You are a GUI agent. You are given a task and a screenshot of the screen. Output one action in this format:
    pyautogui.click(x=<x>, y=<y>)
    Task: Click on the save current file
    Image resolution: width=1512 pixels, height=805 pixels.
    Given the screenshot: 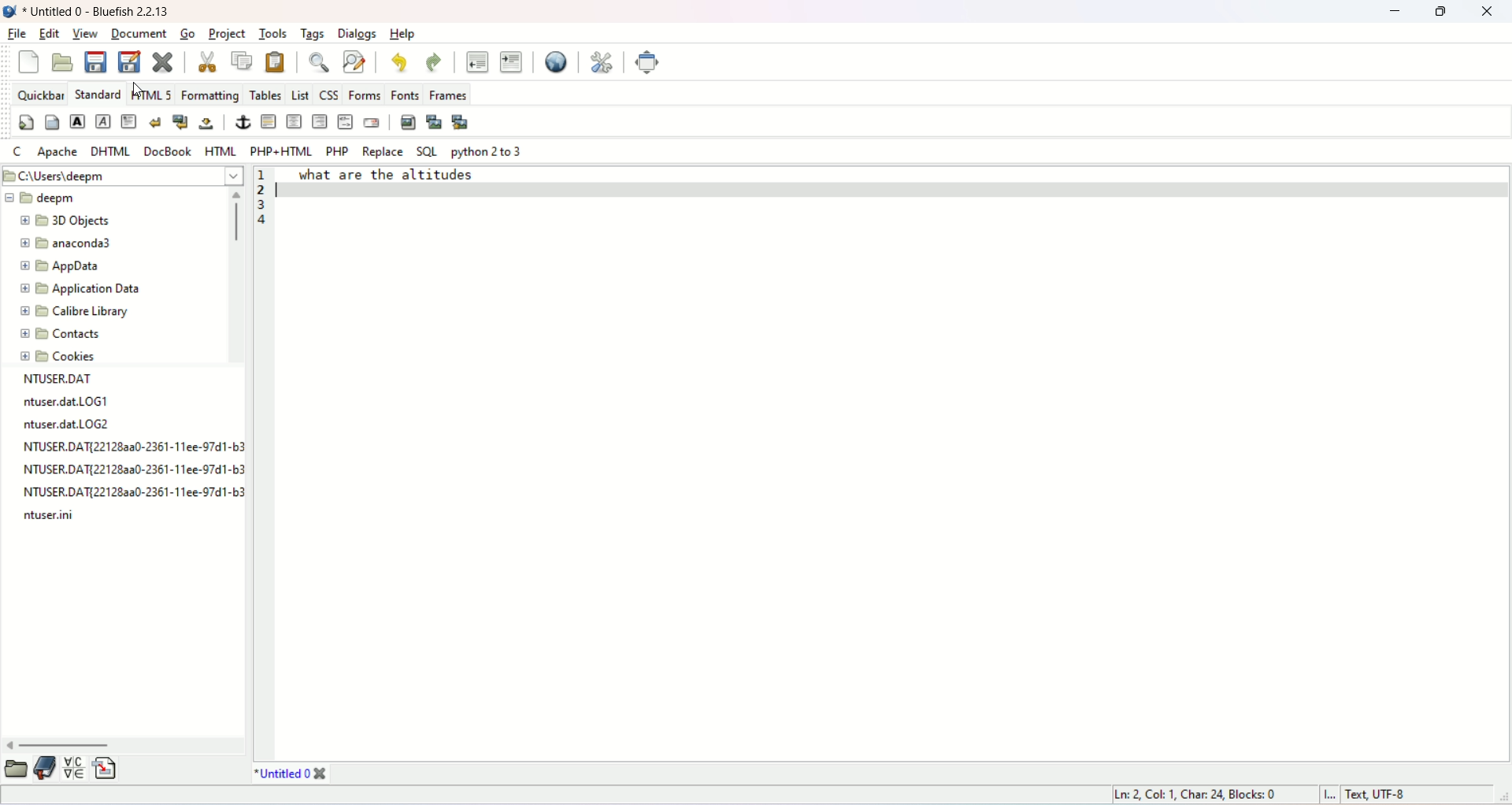 What is the action you would take?
    pyautogui.click(x=94, y=61)
    